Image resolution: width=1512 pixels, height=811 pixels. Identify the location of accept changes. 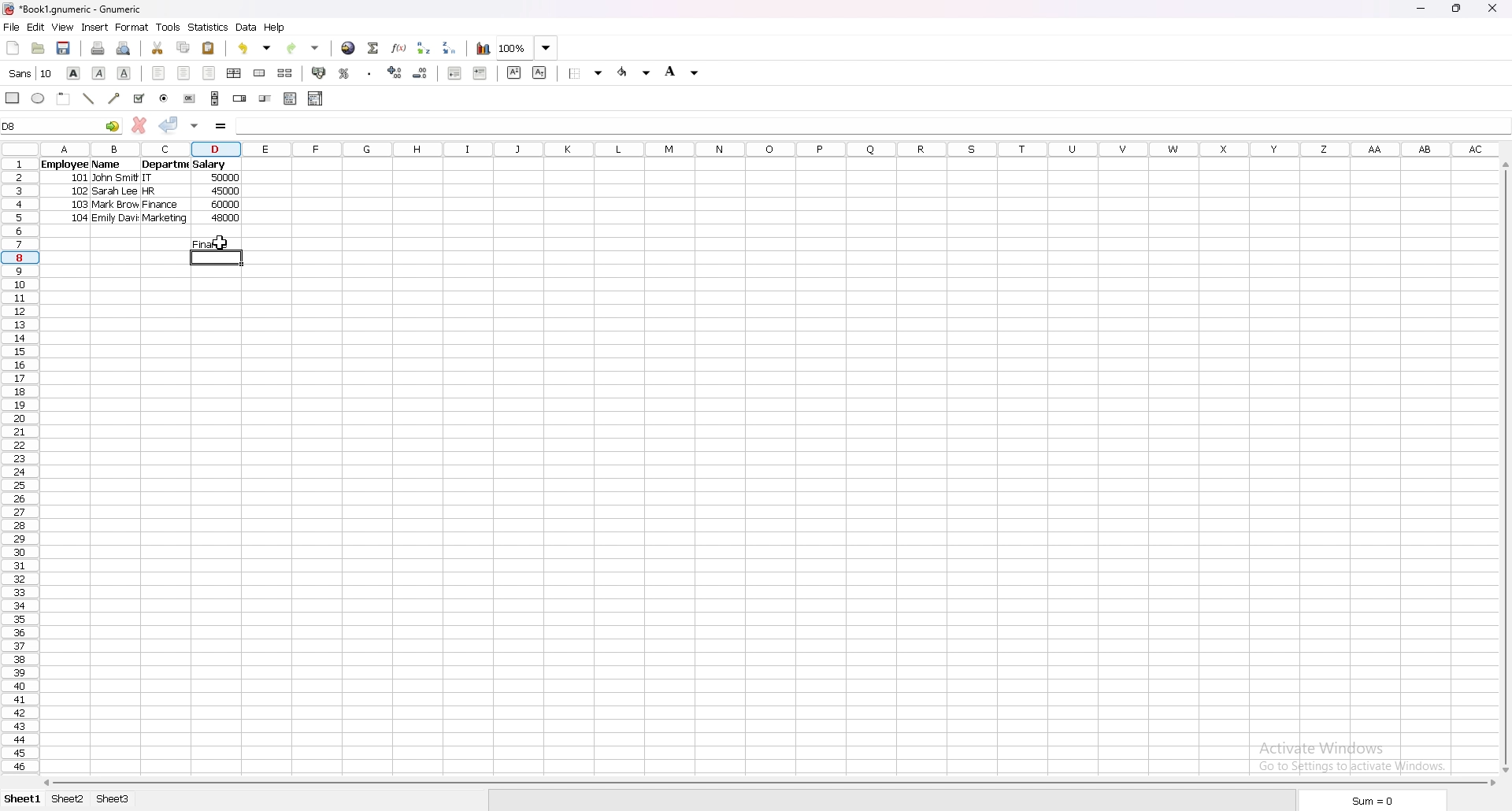
(169, 125).